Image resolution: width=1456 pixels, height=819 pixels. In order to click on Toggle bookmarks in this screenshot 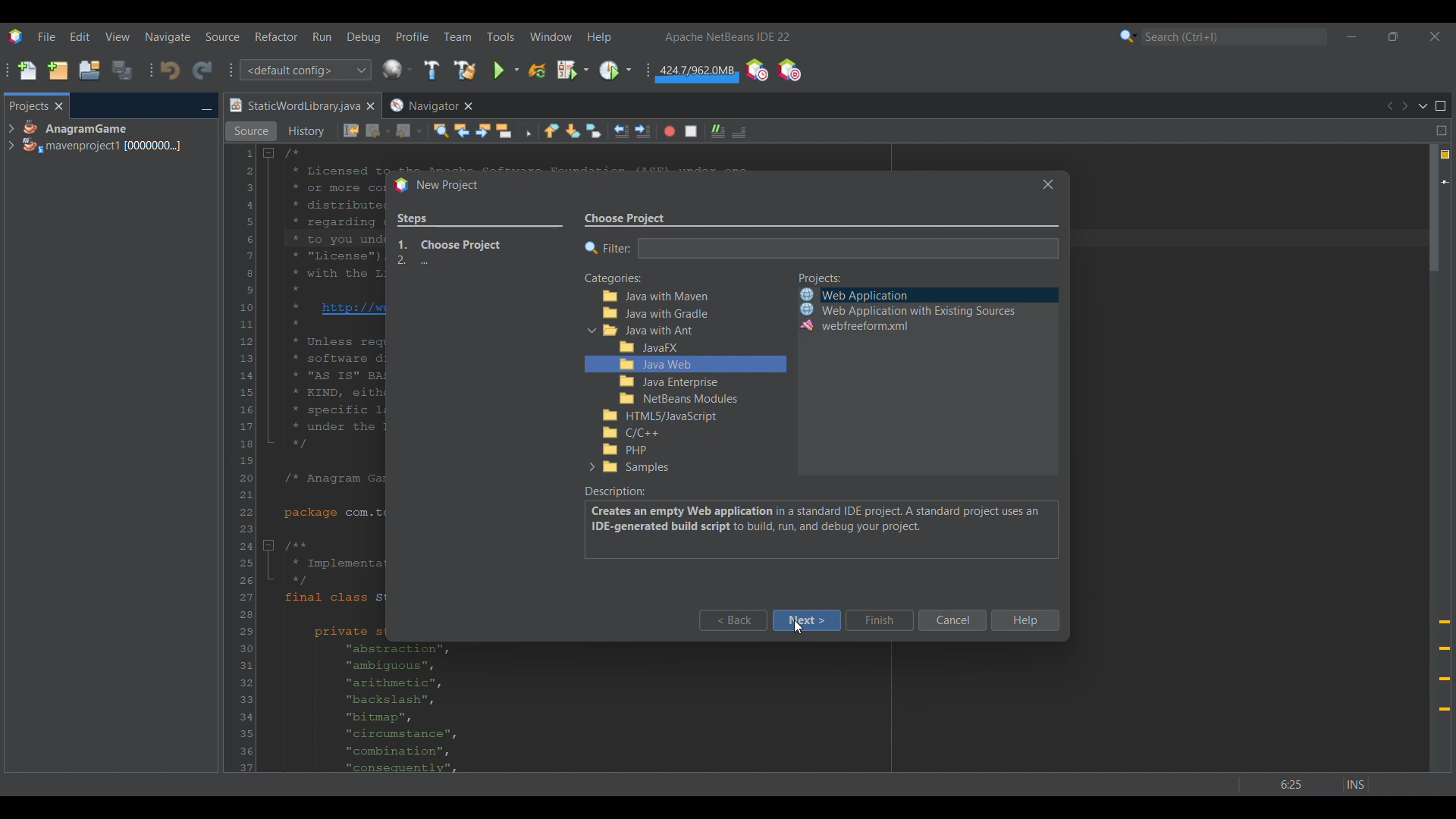, I will do `click(593, 130)`.